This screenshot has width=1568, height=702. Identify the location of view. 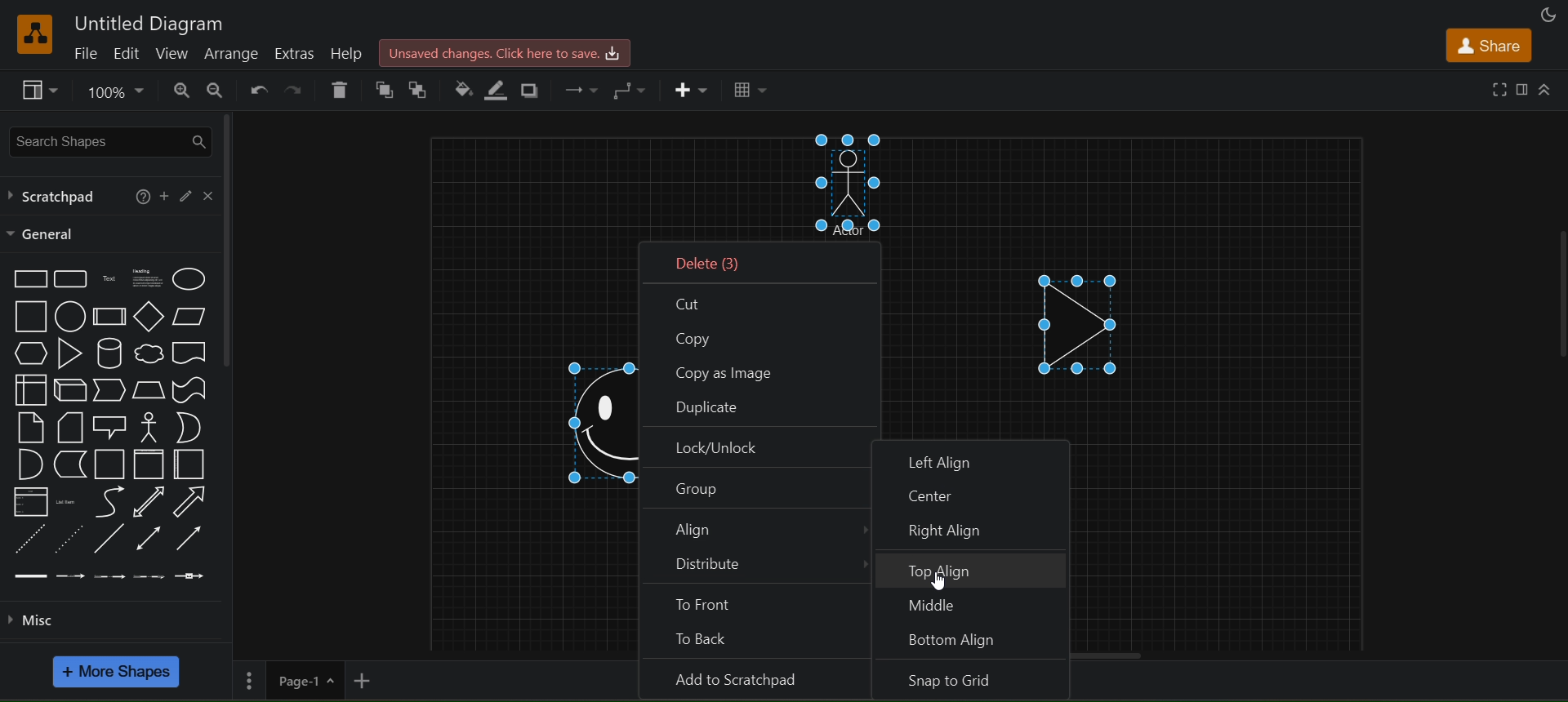
(171, 52).